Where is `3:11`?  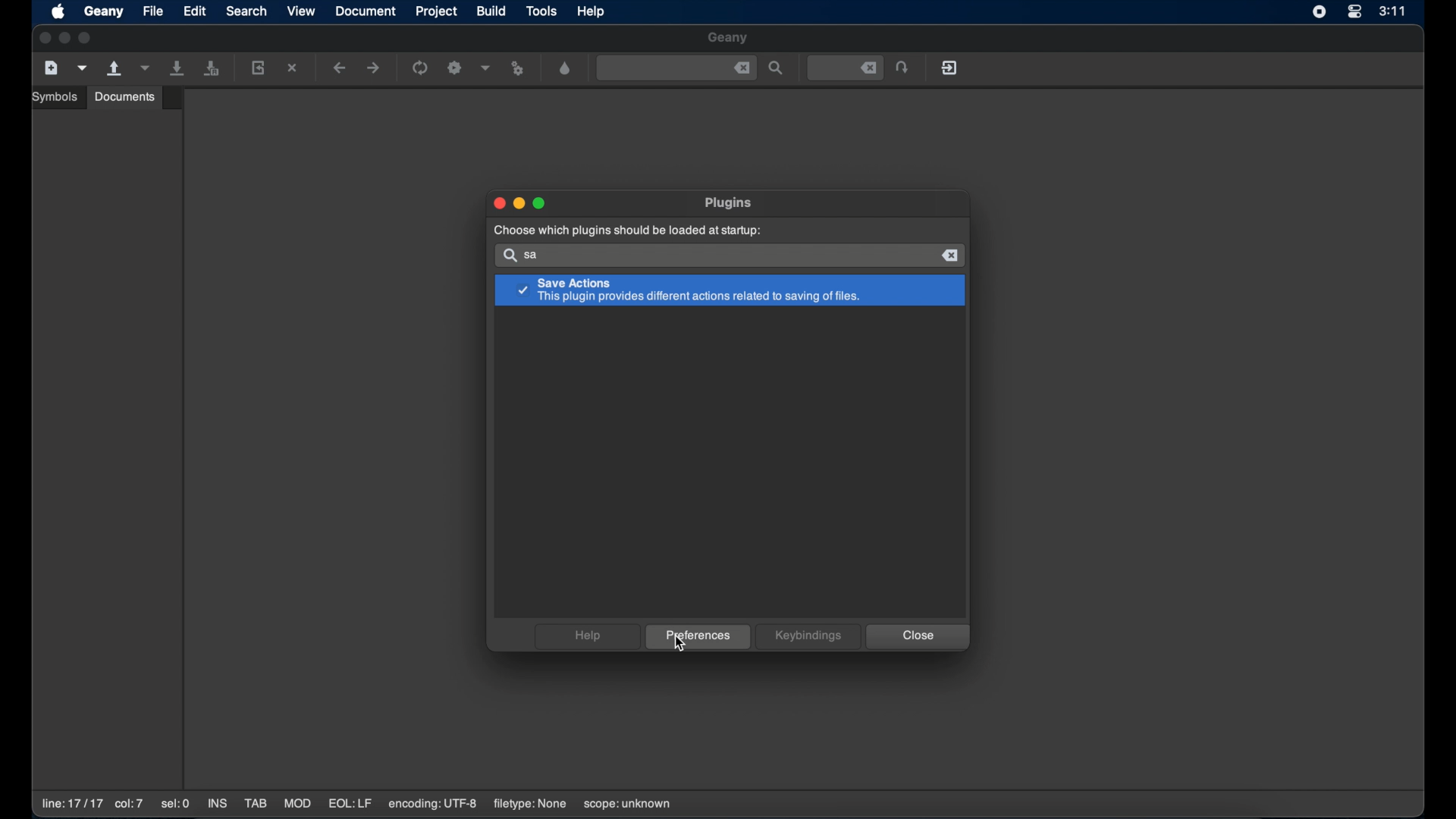
3:11 is located at coordinates (1393, 11).